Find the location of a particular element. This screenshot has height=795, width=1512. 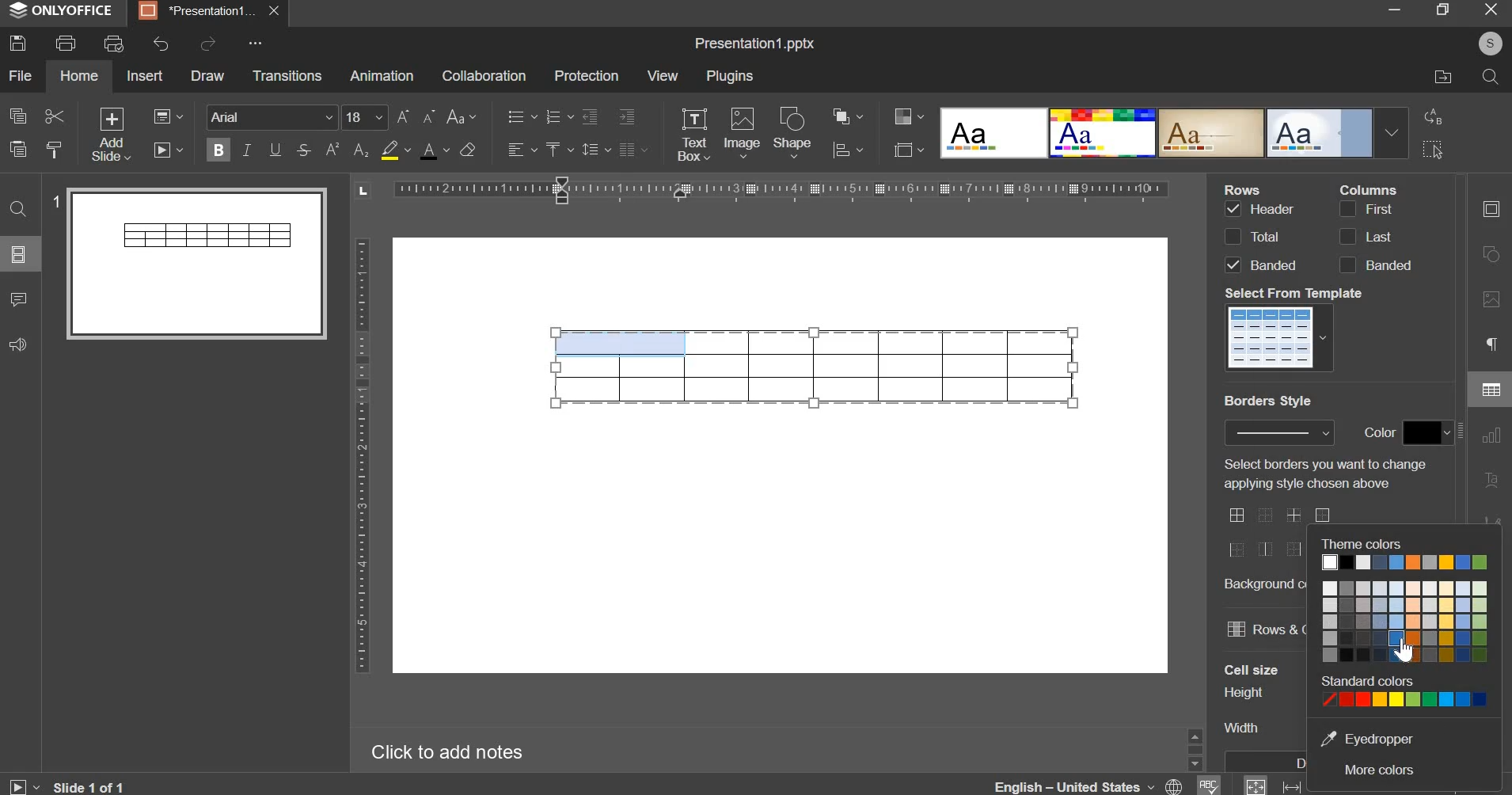

More is located at coordinates (253, 44).